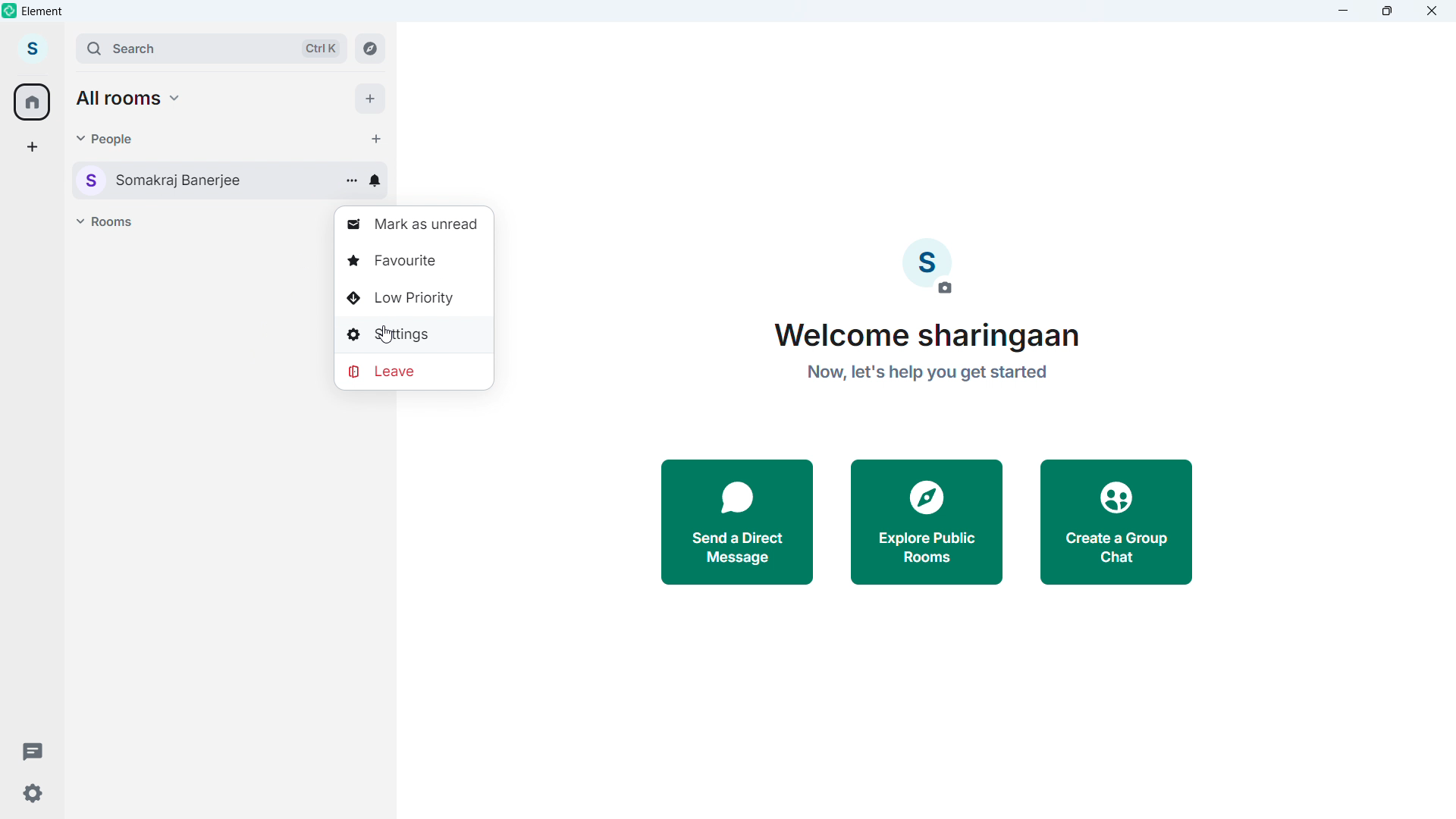 This screenshot has width=1456, height=819. What do you see at coordinates (35, 47) in the screenshot?
I see `account ` at bounding box center [35, 47].